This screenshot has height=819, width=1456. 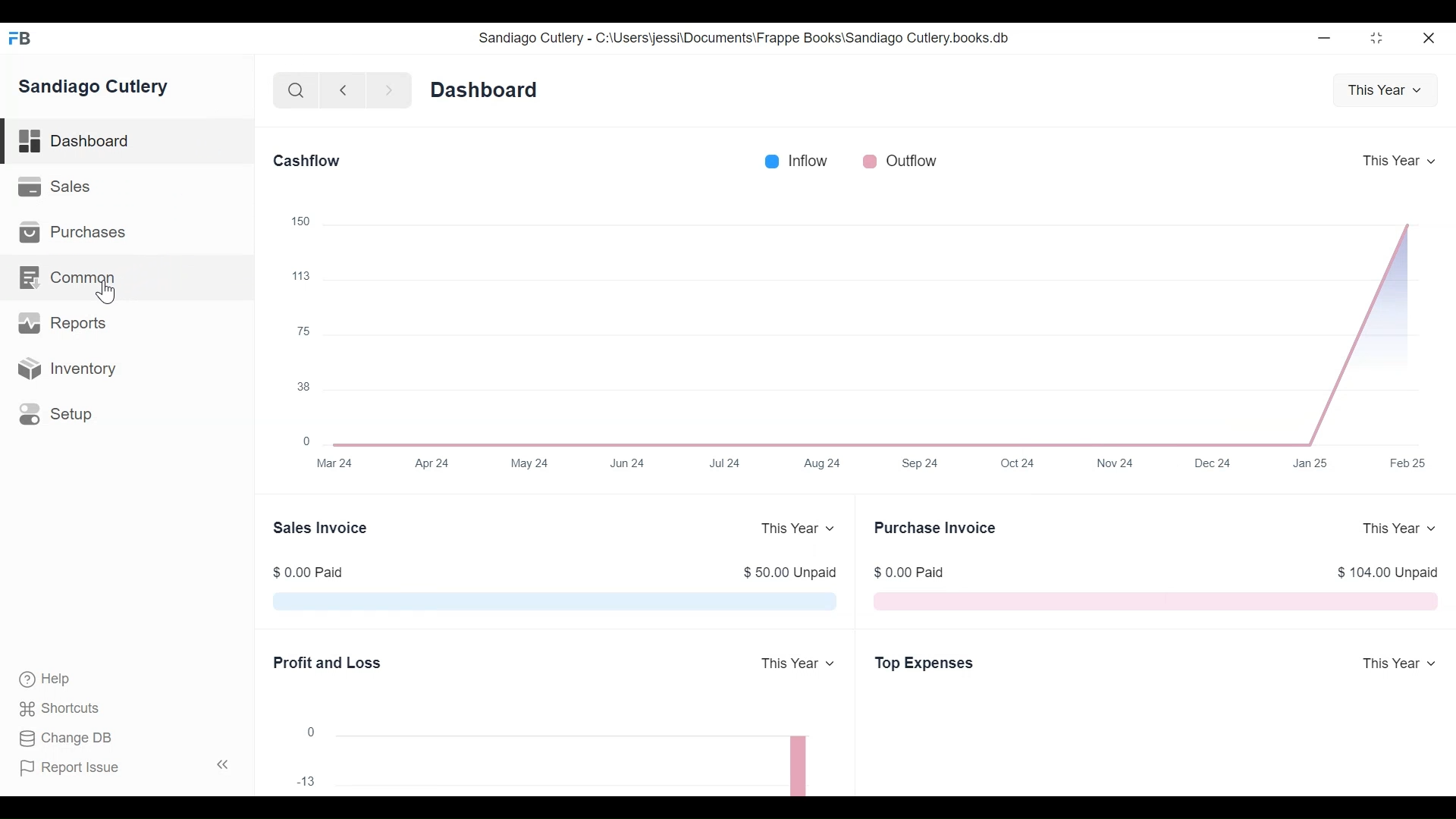 What do you see at coordinates (1018, 463) in the screenshot?
I see `Oct 24` at bounding box center [1018, 463].